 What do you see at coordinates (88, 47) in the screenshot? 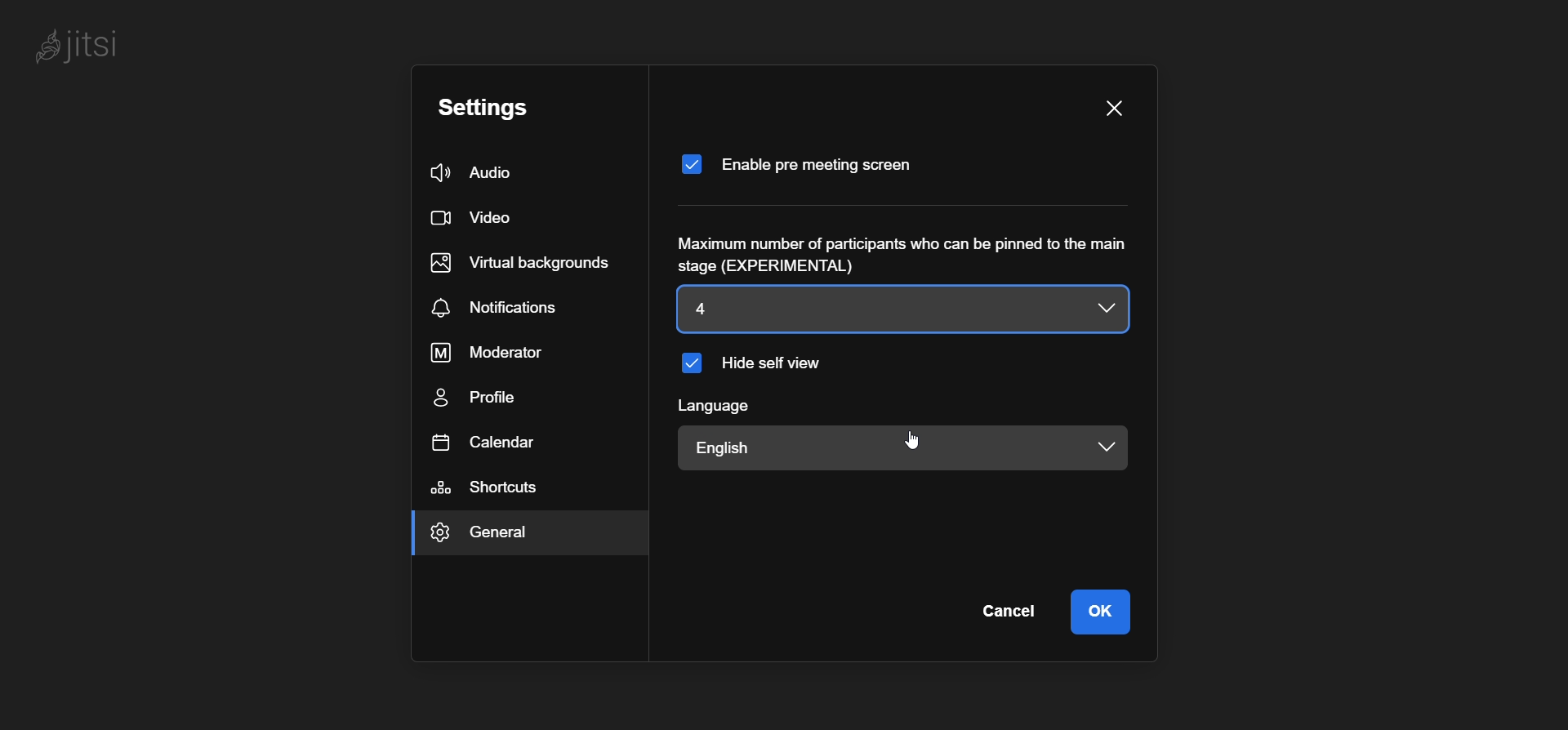
I see `jitsi` at bounding box center [88, 47].